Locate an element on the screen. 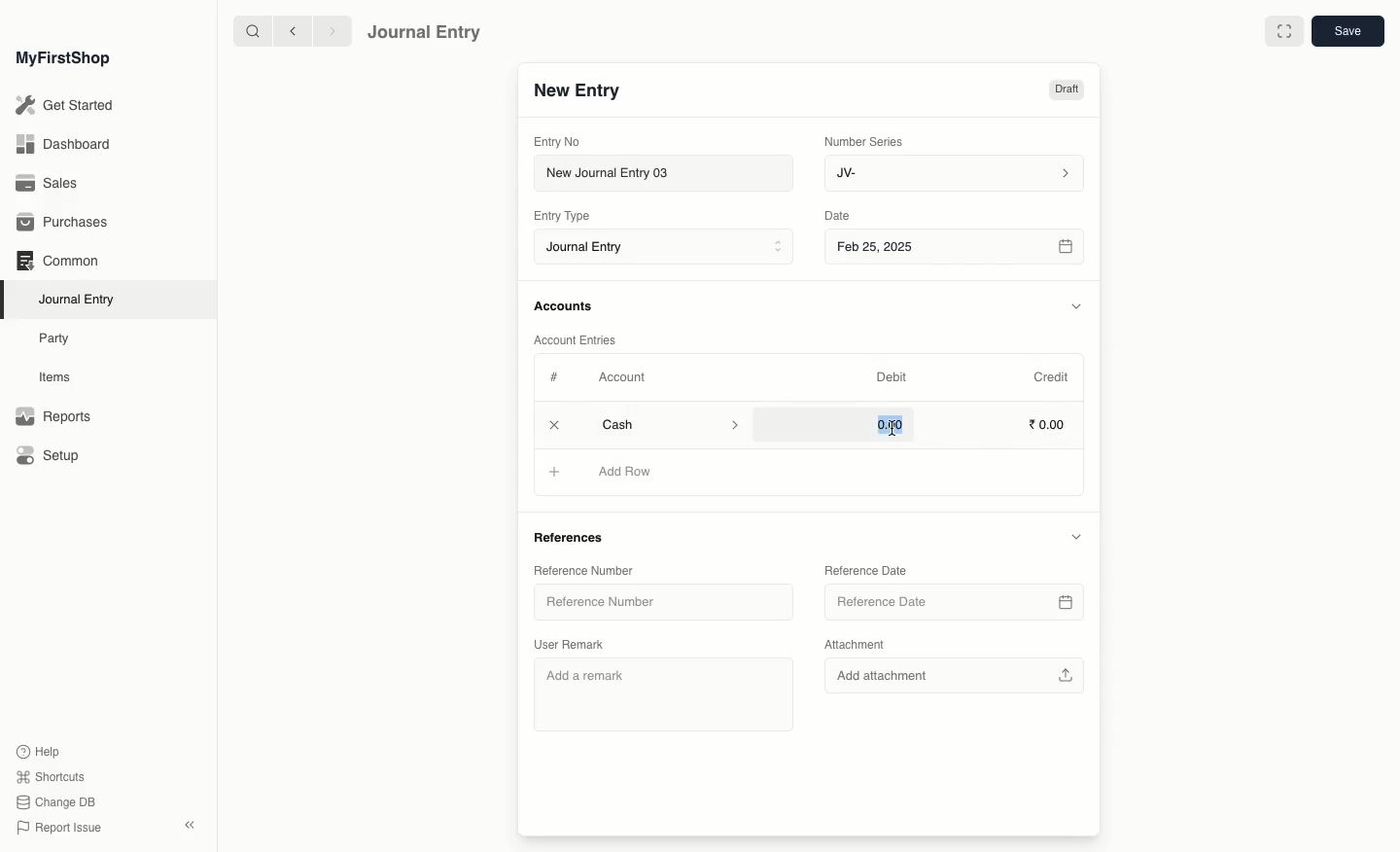 Image resolution: width=1400 pixels, height=852 pixels. References is located at coordinates (573, 536).